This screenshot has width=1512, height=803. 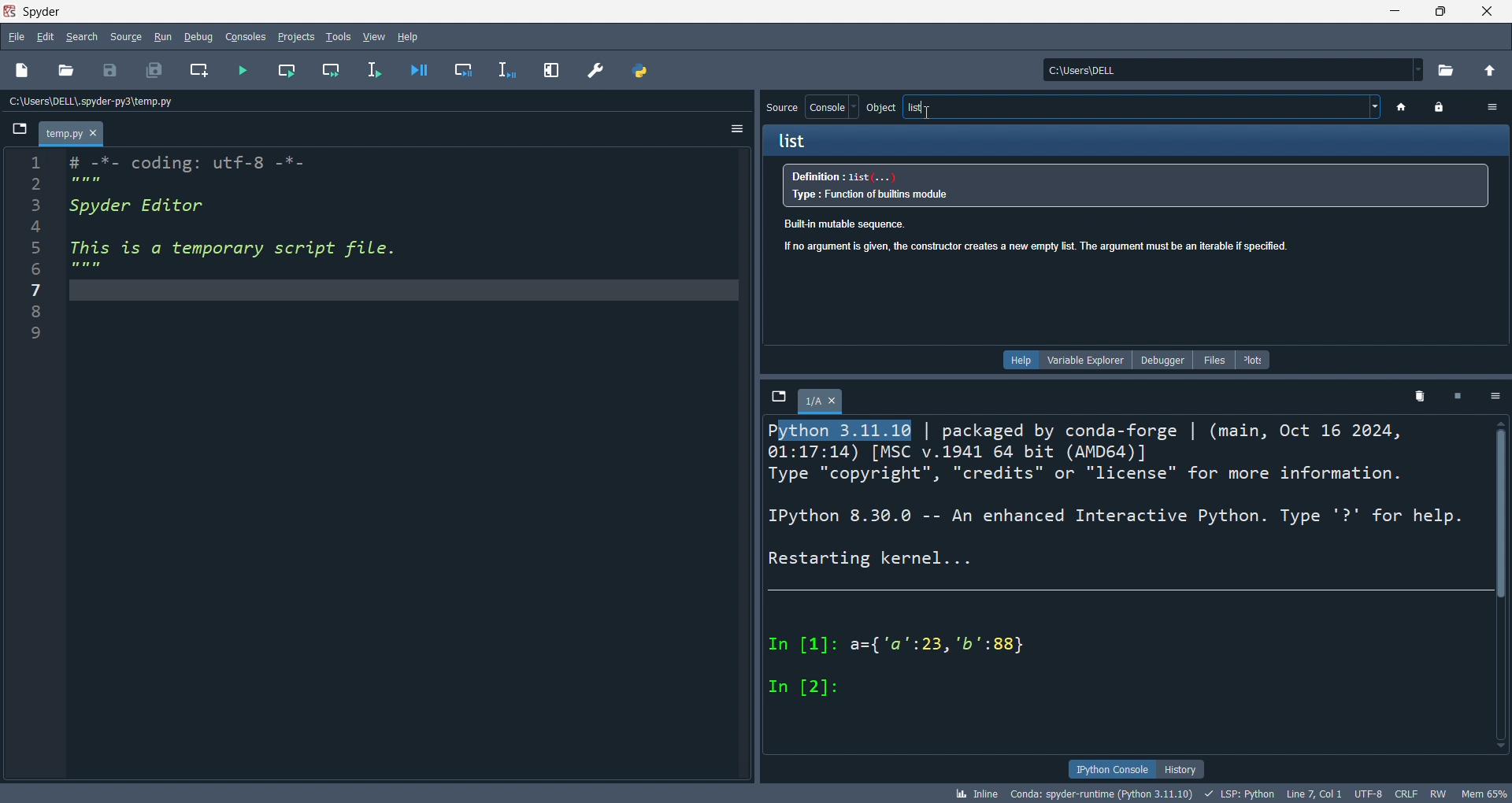 I want to click on open directory, so click(x=1441, y=72).